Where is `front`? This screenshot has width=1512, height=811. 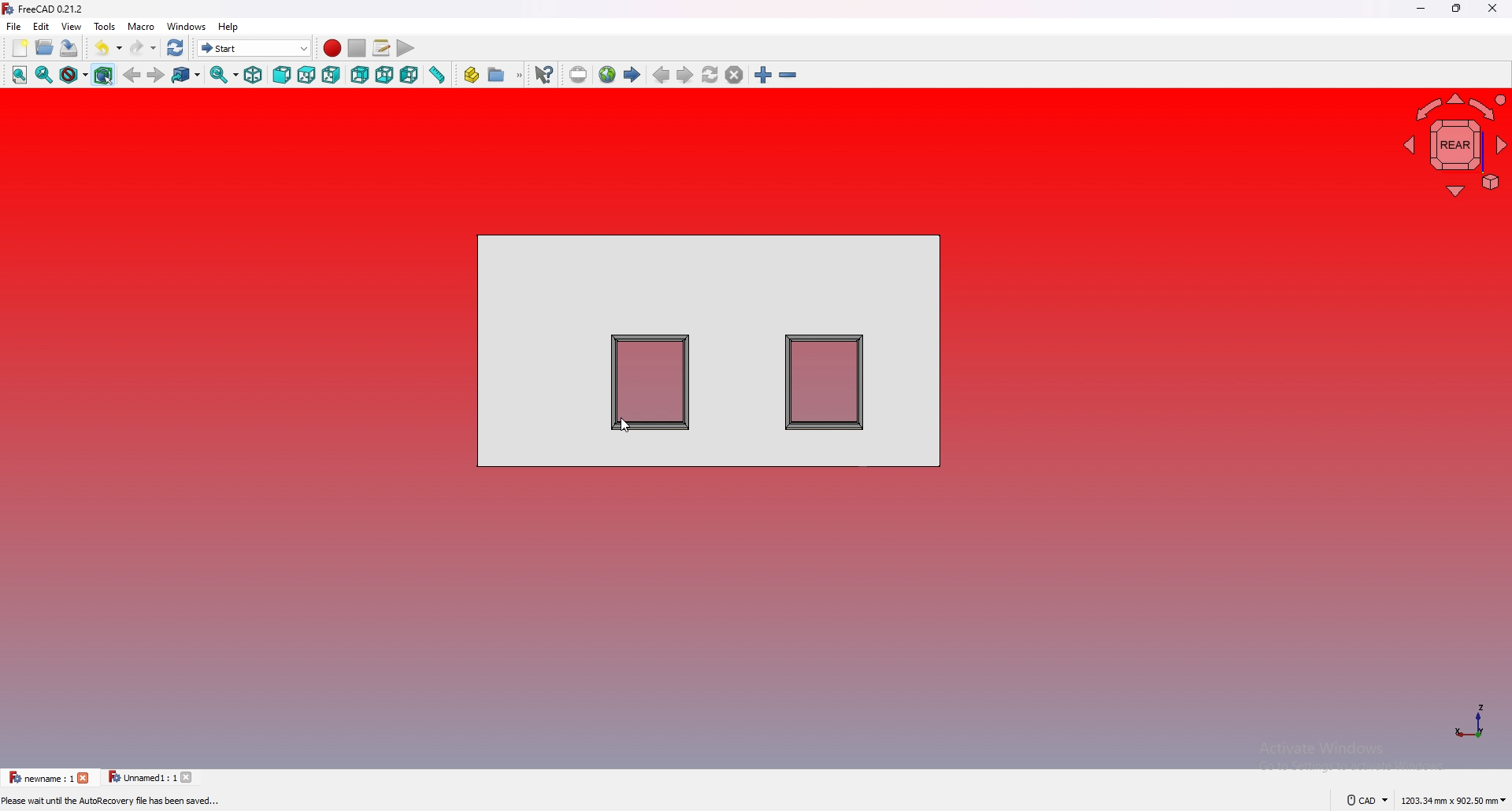 front is located at coordinates (283, 76).